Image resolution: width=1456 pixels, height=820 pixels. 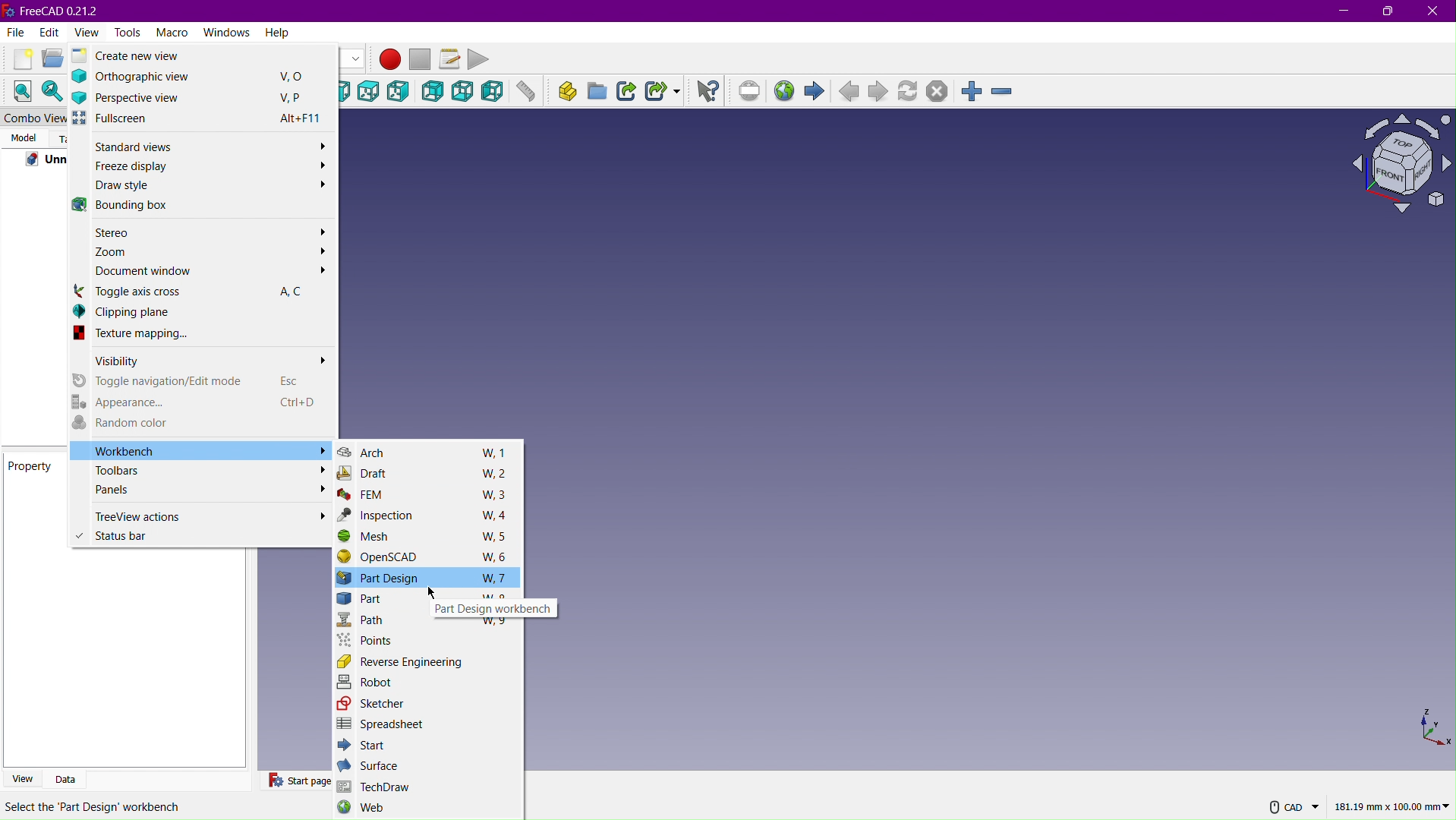 What do you see at coordinates (432, 92) in the screenshot?
I see `Back` at bounding box center [432, 92].